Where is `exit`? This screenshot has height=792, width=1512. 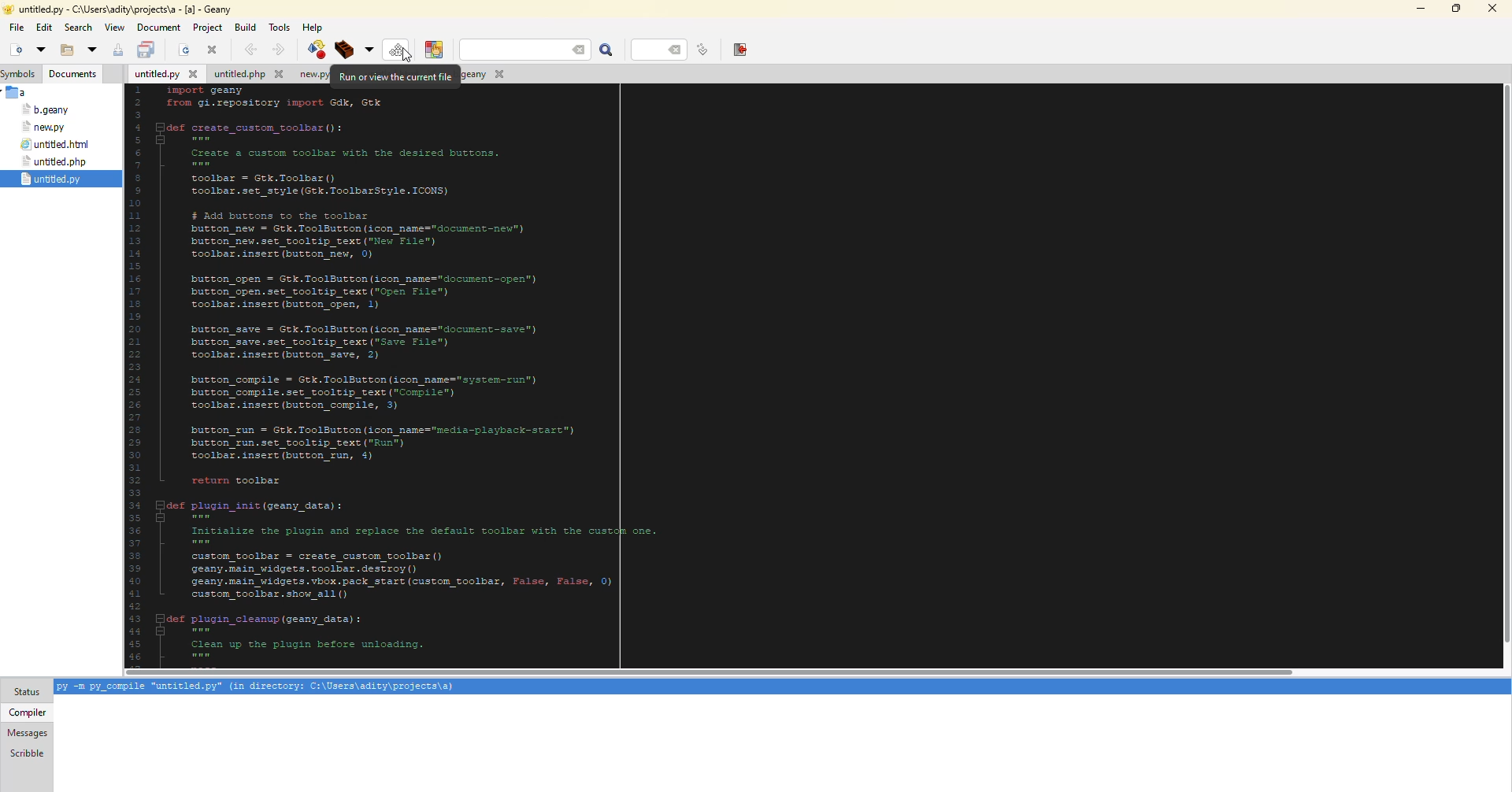 exit is located at coordinates (741, 50).